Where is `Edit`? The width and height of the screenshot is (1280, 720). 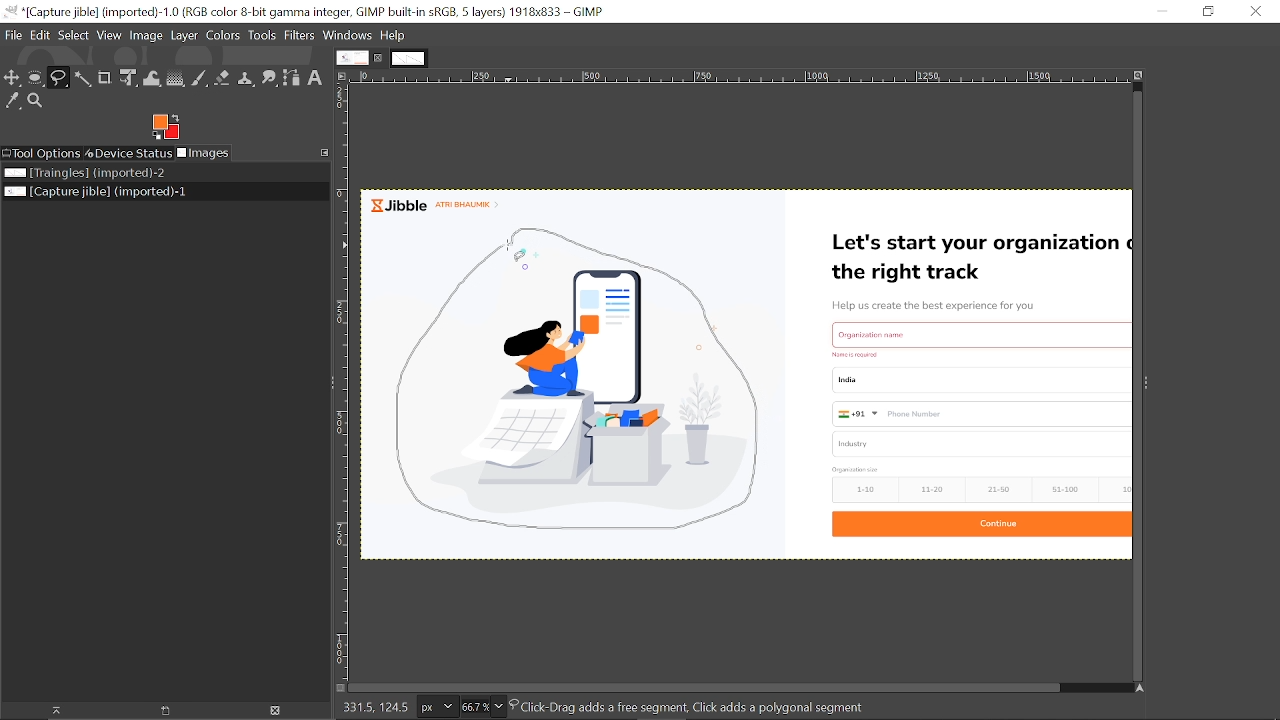 Edit is located at coordinates (41, 35).